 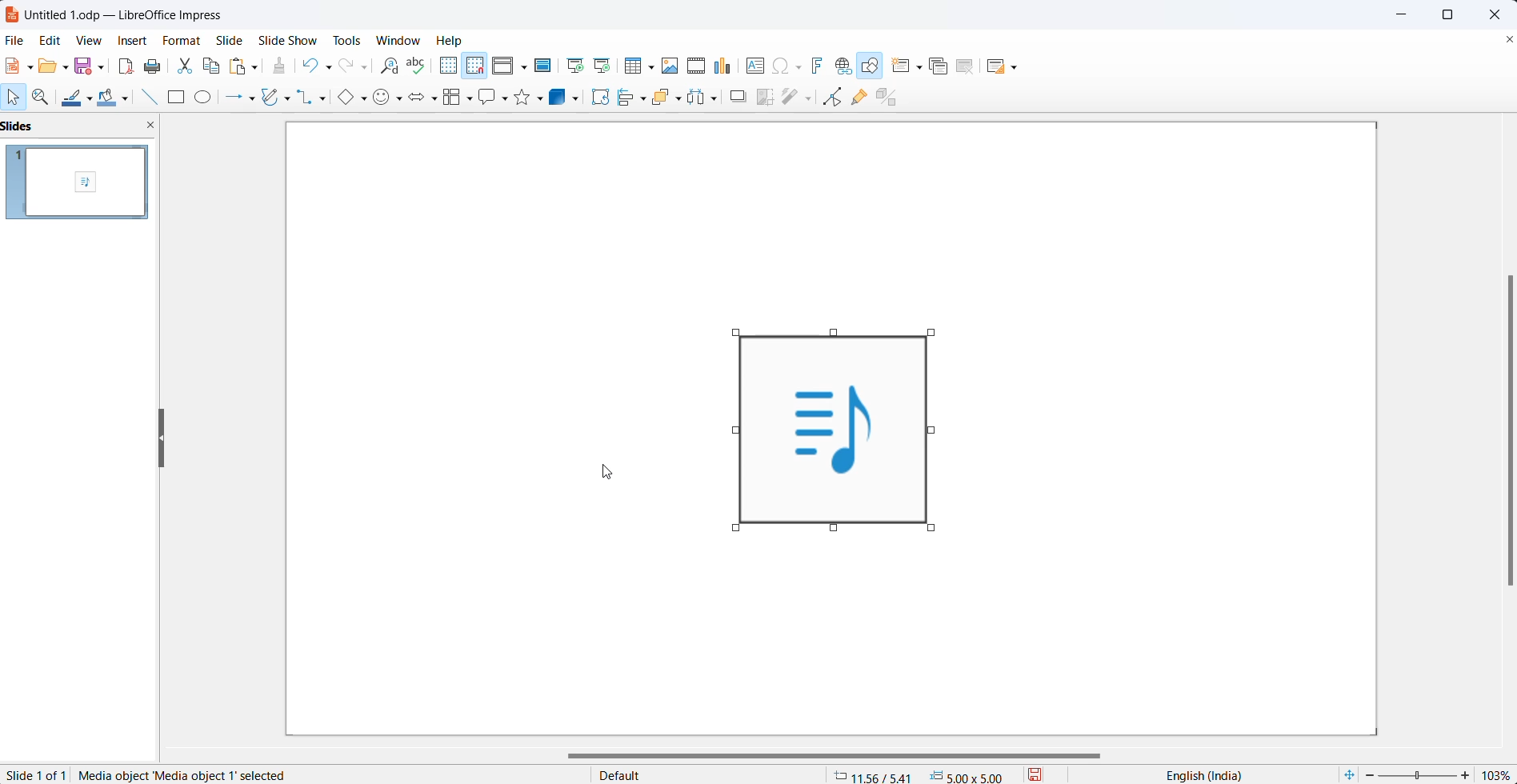 What do you see at coordinates (606, 66) in the screenshot?
I see `start from current slide` at bounding box center [606, 66].